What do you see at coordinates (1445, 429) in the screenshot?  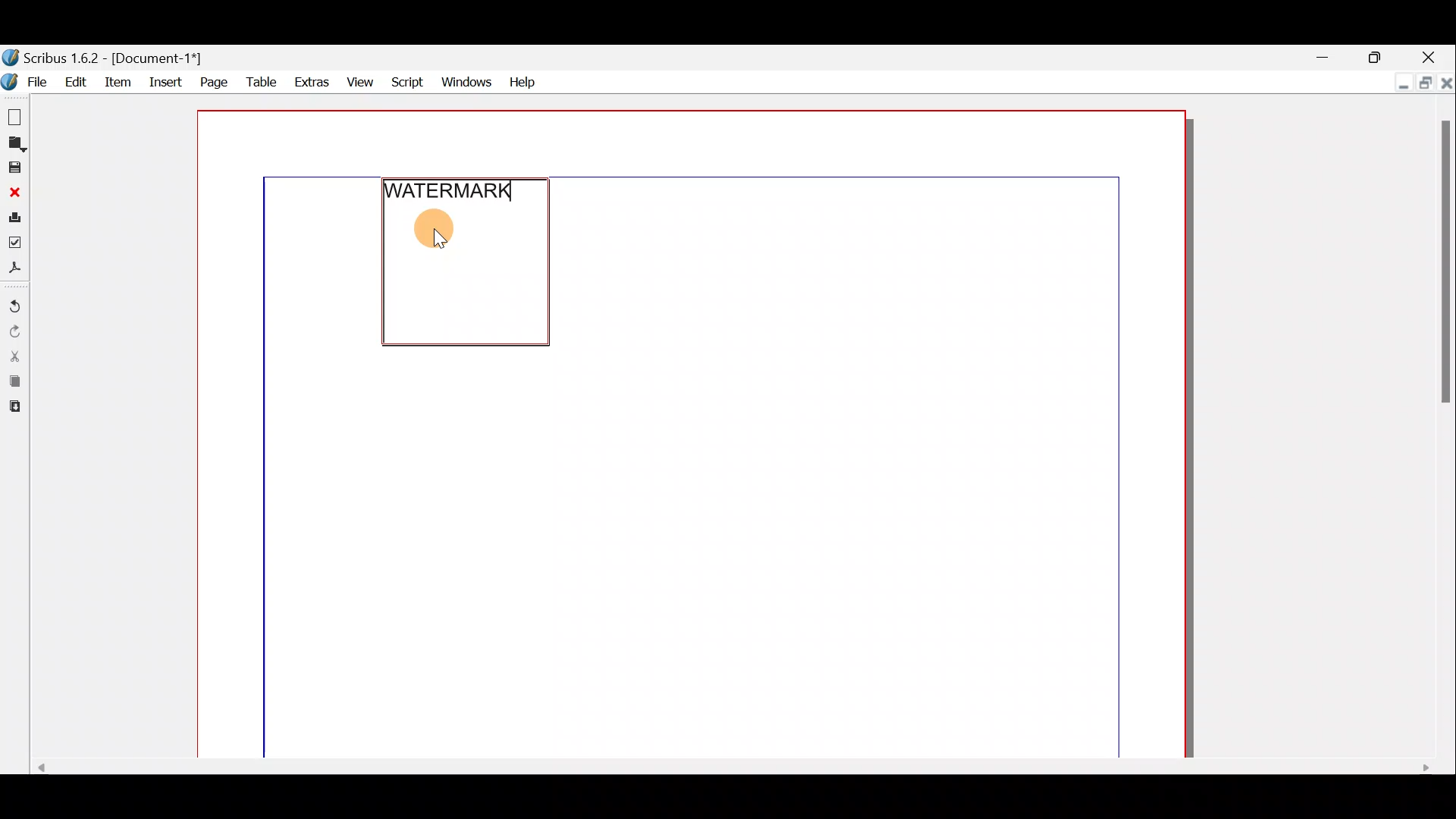 I see `Scroll bar` at bounding box center [1445, 429].